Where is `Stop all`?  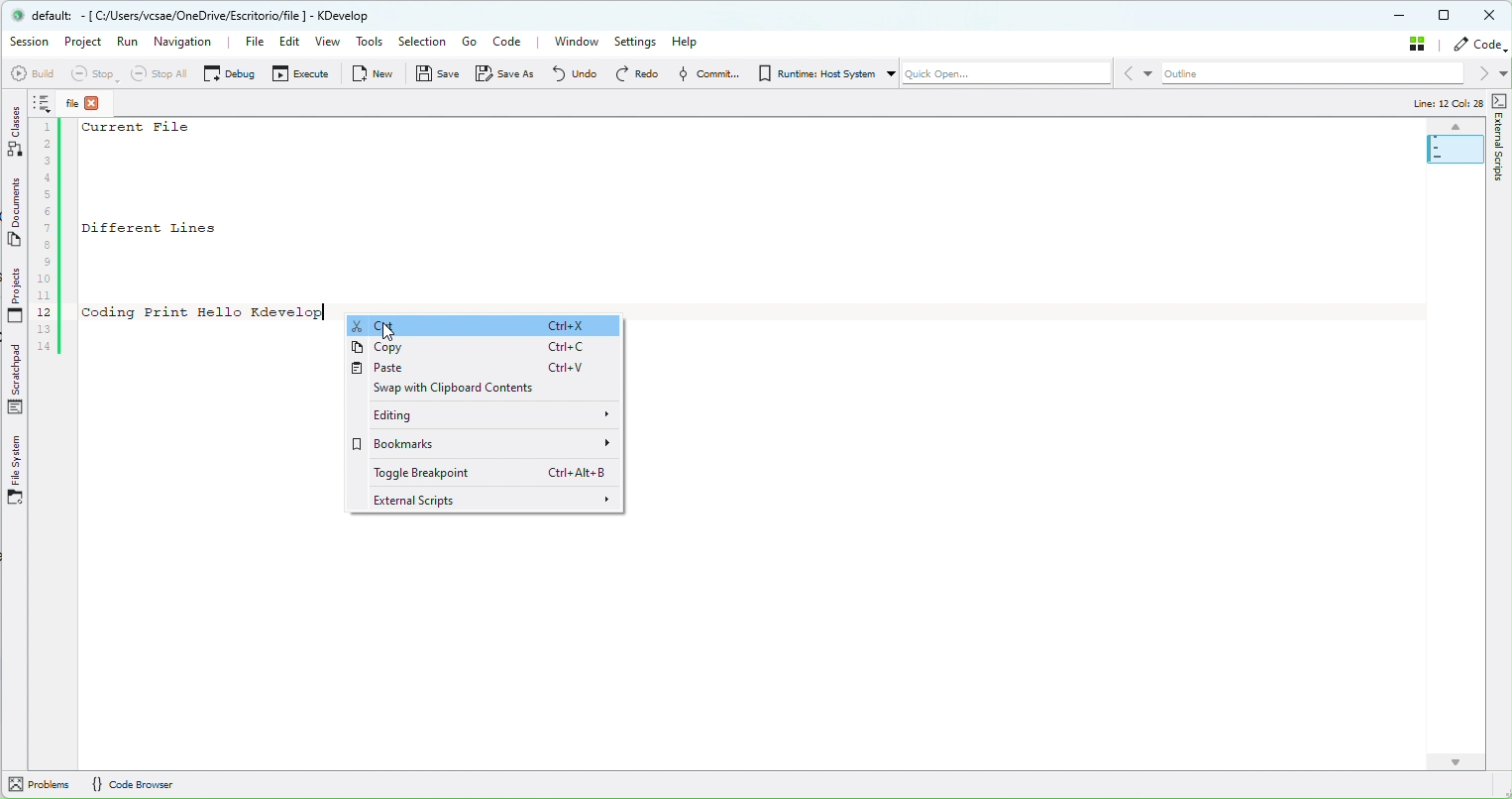 Stop all is located at coordinates (159, 73).